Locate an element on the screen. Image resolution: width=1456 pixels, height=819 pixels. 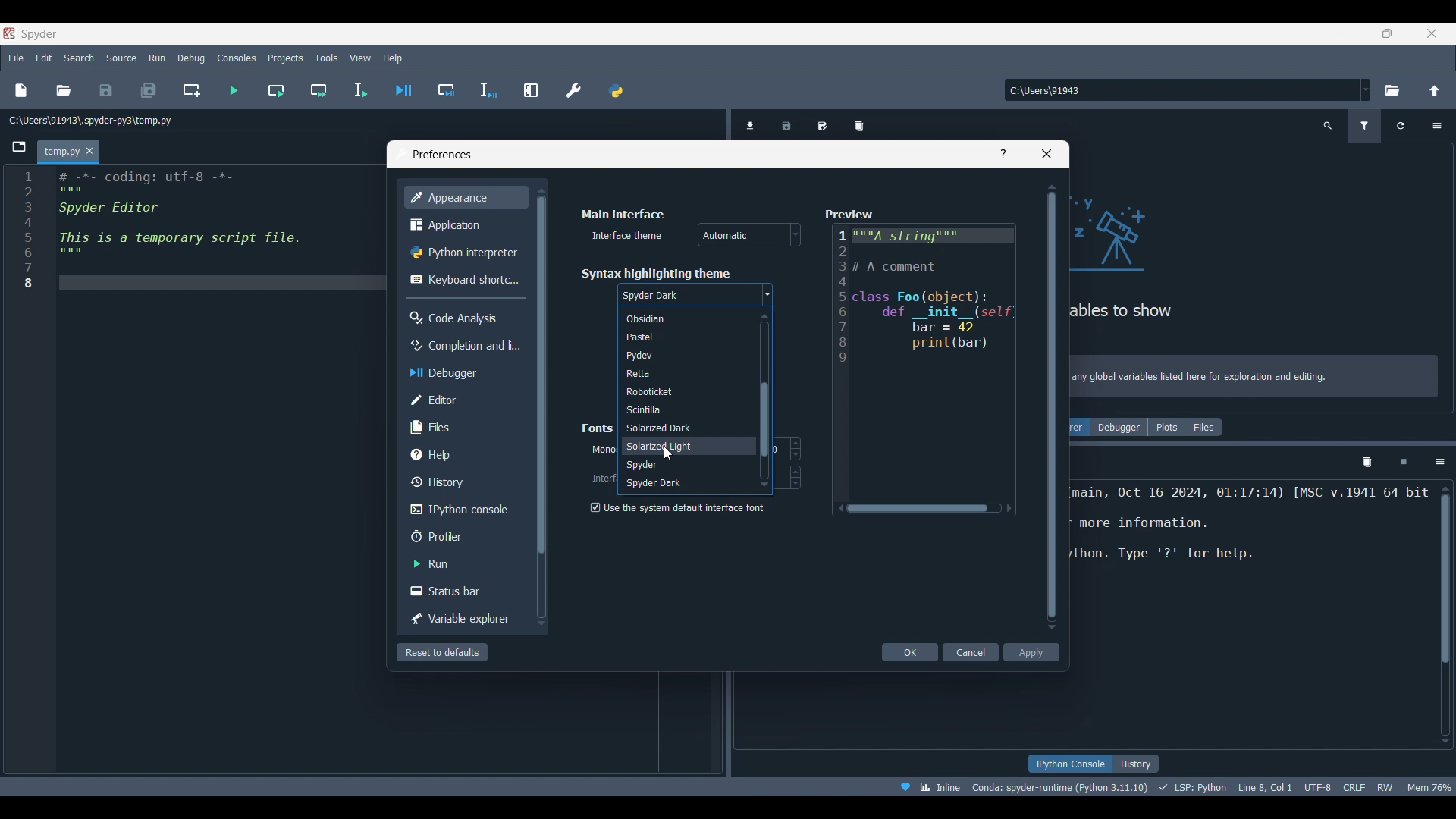
Appearance, current selection highlighted is located at coordinates (466, 197).